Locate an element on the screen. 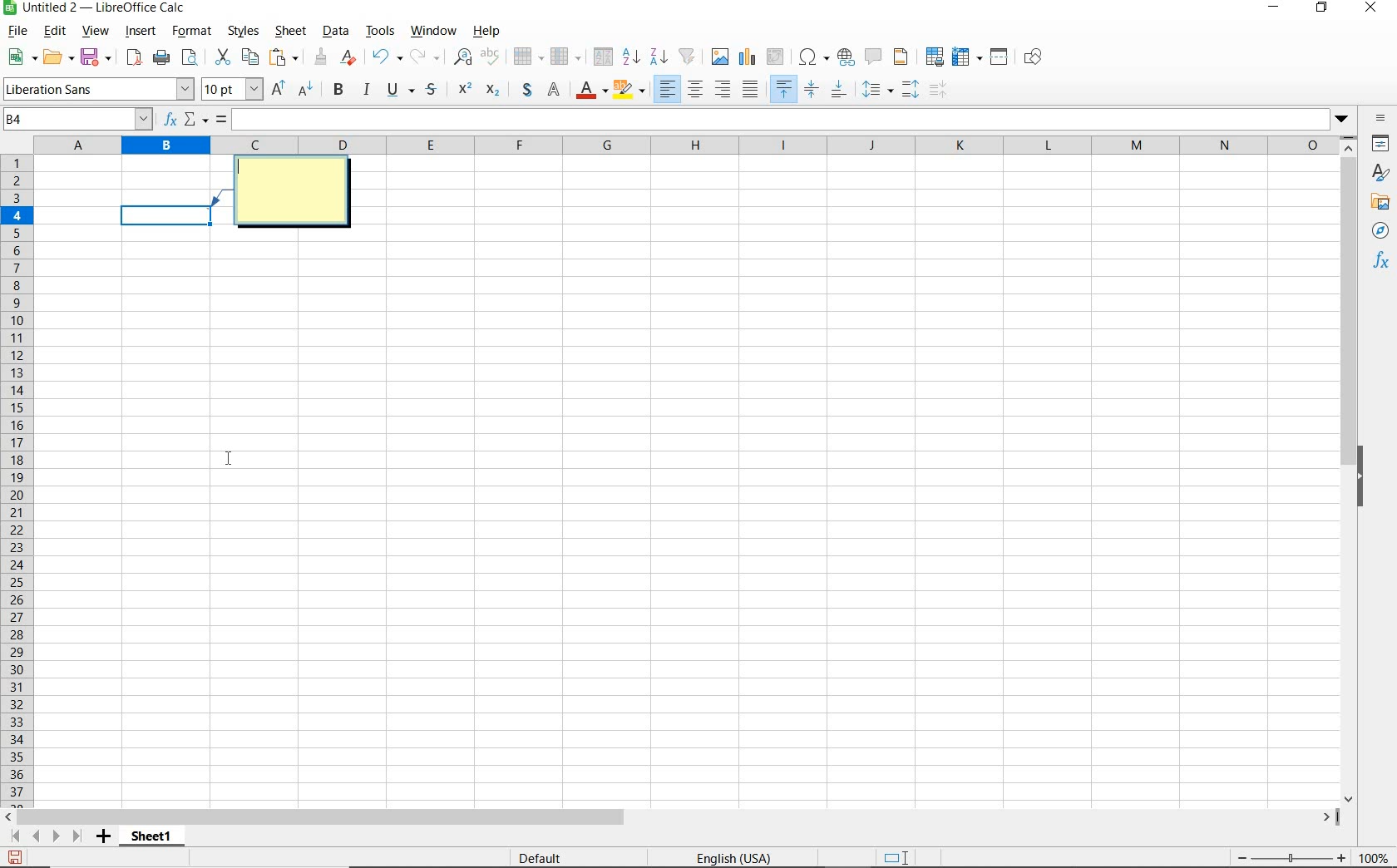 This screenshot has height=868, width=1397. file name is located at coordinates (100, 9).